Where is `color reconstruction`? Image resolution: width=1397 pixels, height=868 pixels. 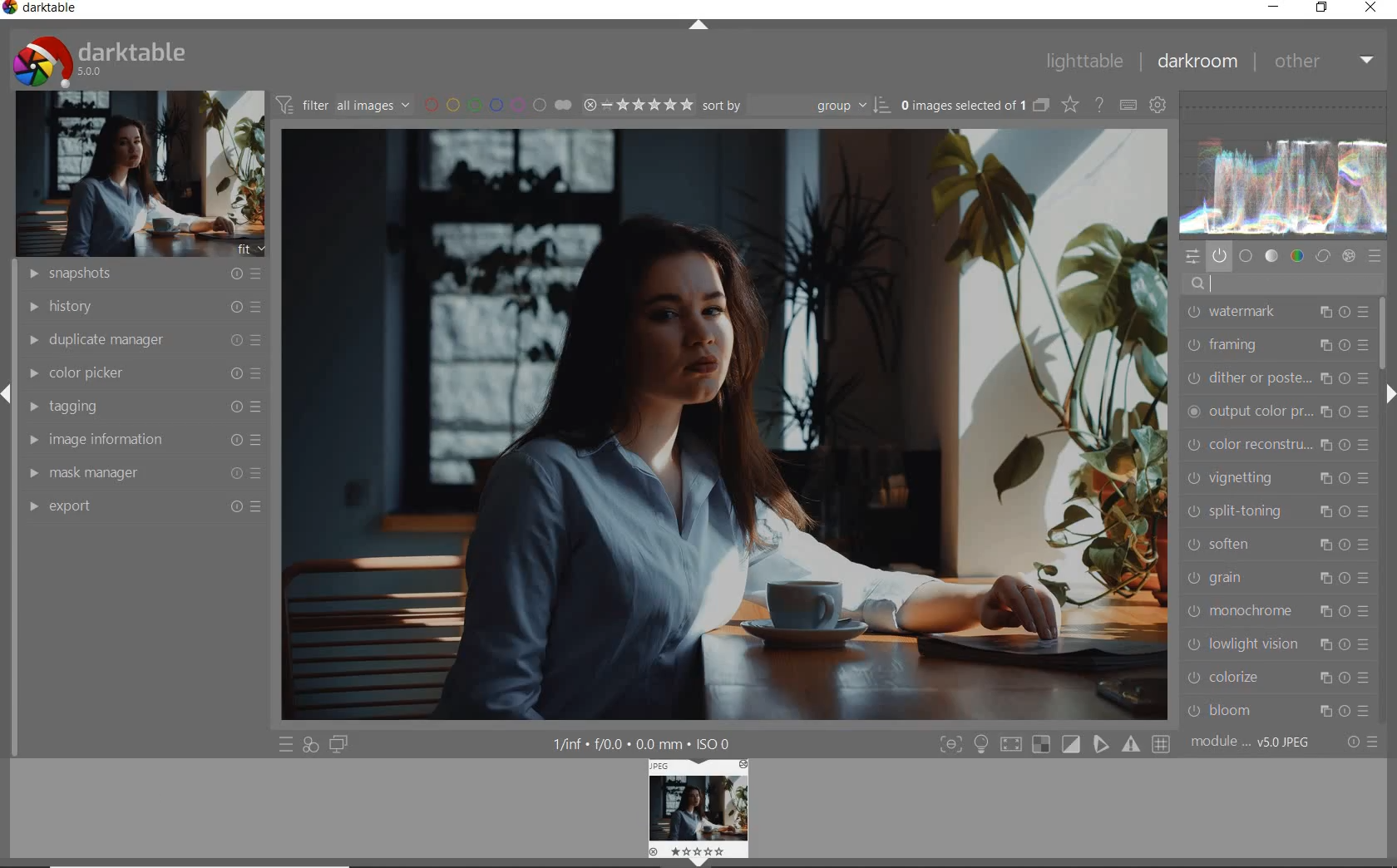
color reconstruction is located at coordinates (1279, 445).